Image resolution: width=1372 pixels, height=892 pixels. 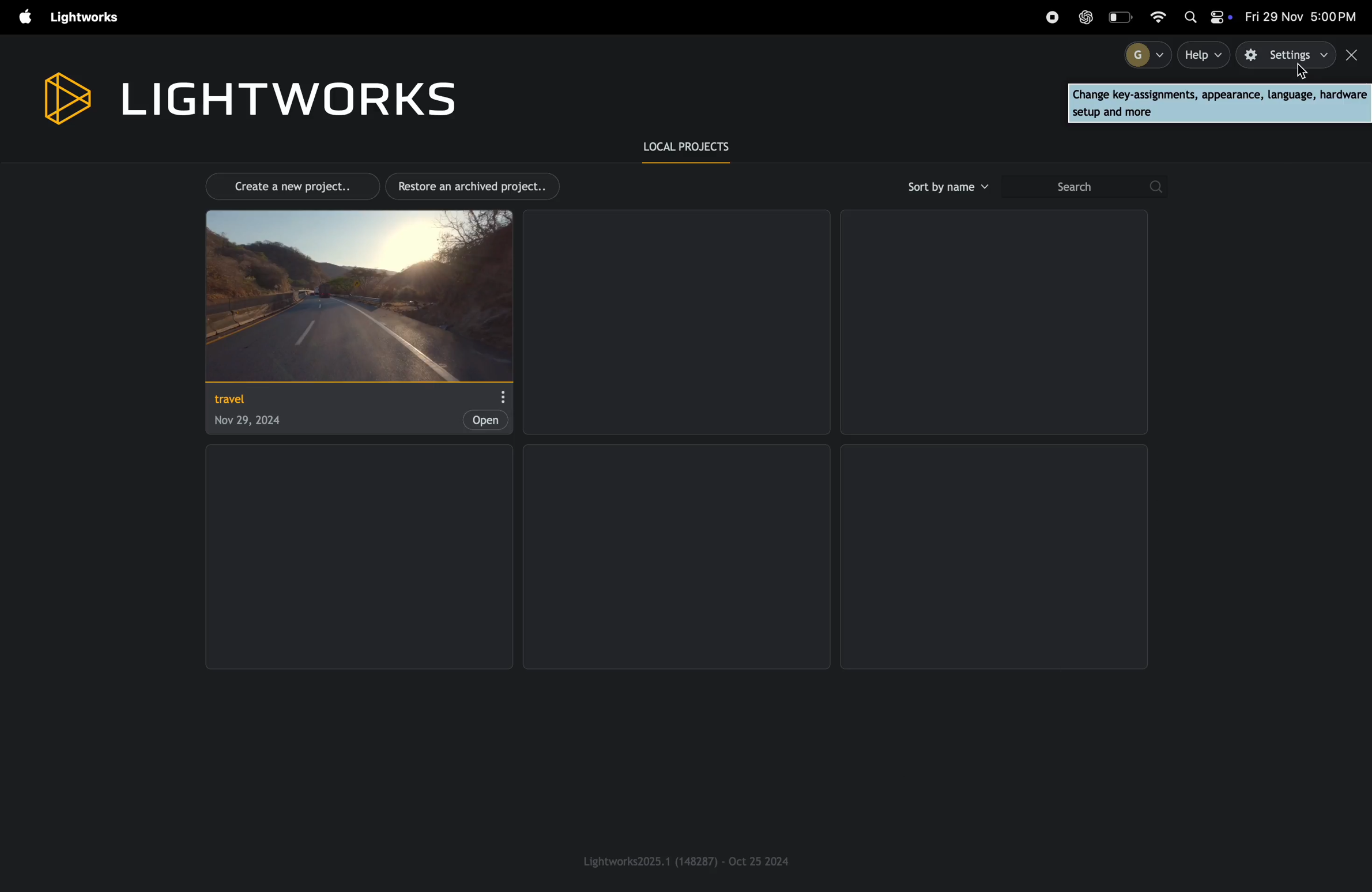 I want to click on restore archived projects, so click(x=477, y=186).